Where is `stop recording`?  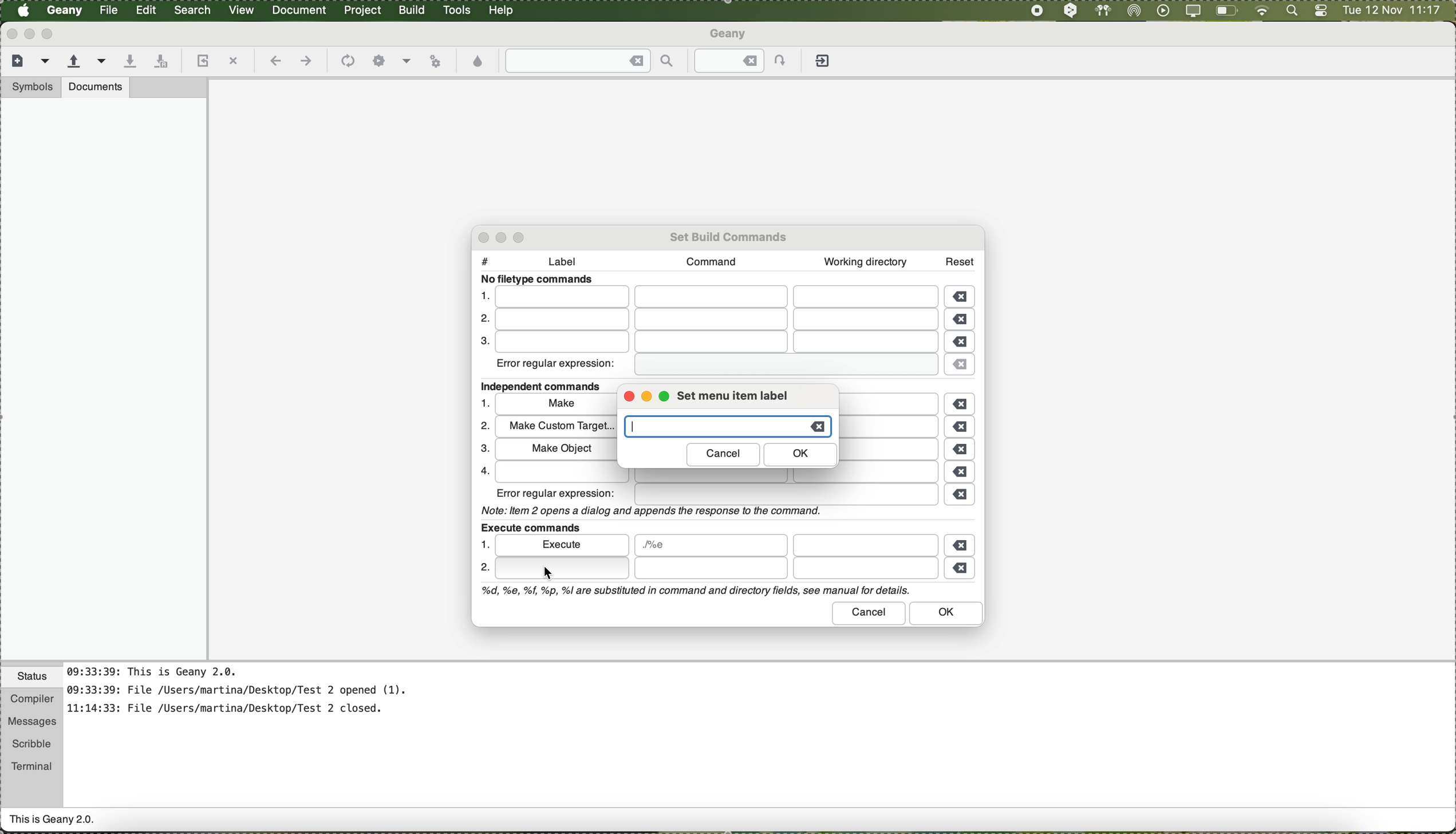 stop recording is located at coordinates (1036, 10).